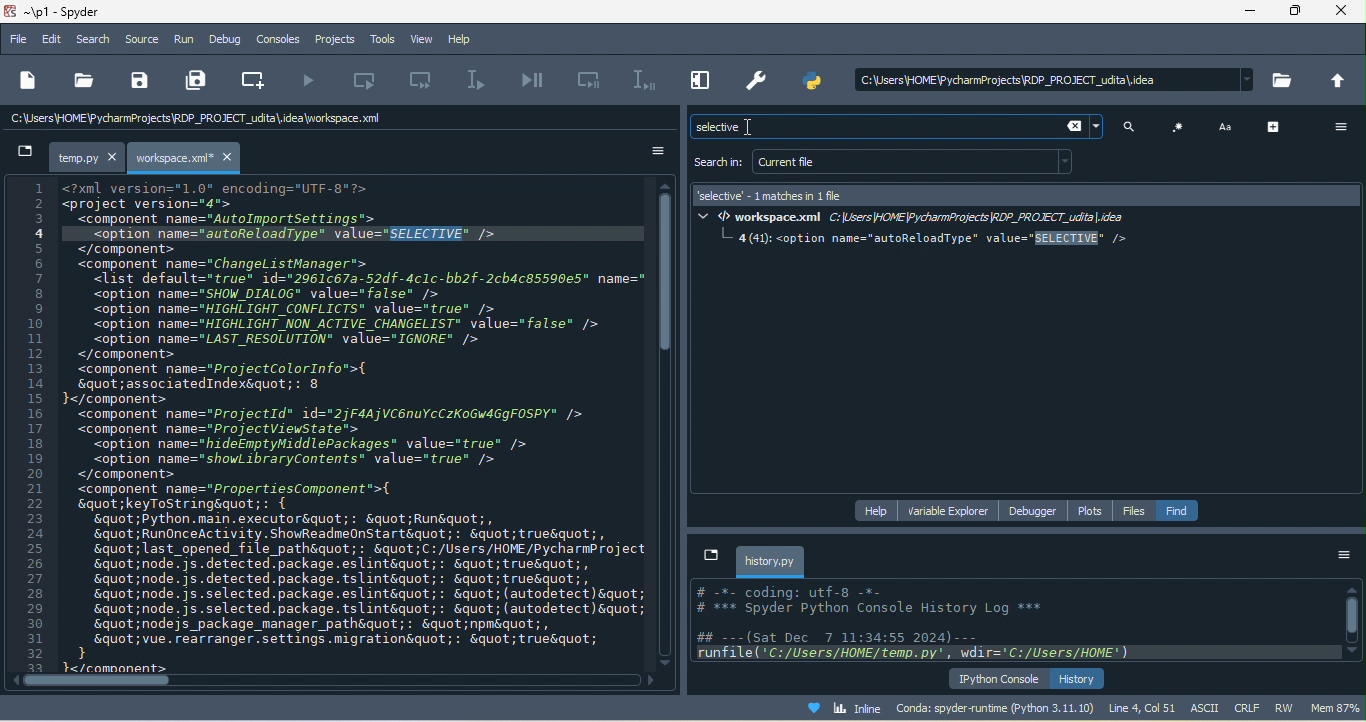 This screenshot has height=722, width=1366. What do you see at coordinates (466, 40) in the screenshot?
I see `help` at bounding box center [466, 40].